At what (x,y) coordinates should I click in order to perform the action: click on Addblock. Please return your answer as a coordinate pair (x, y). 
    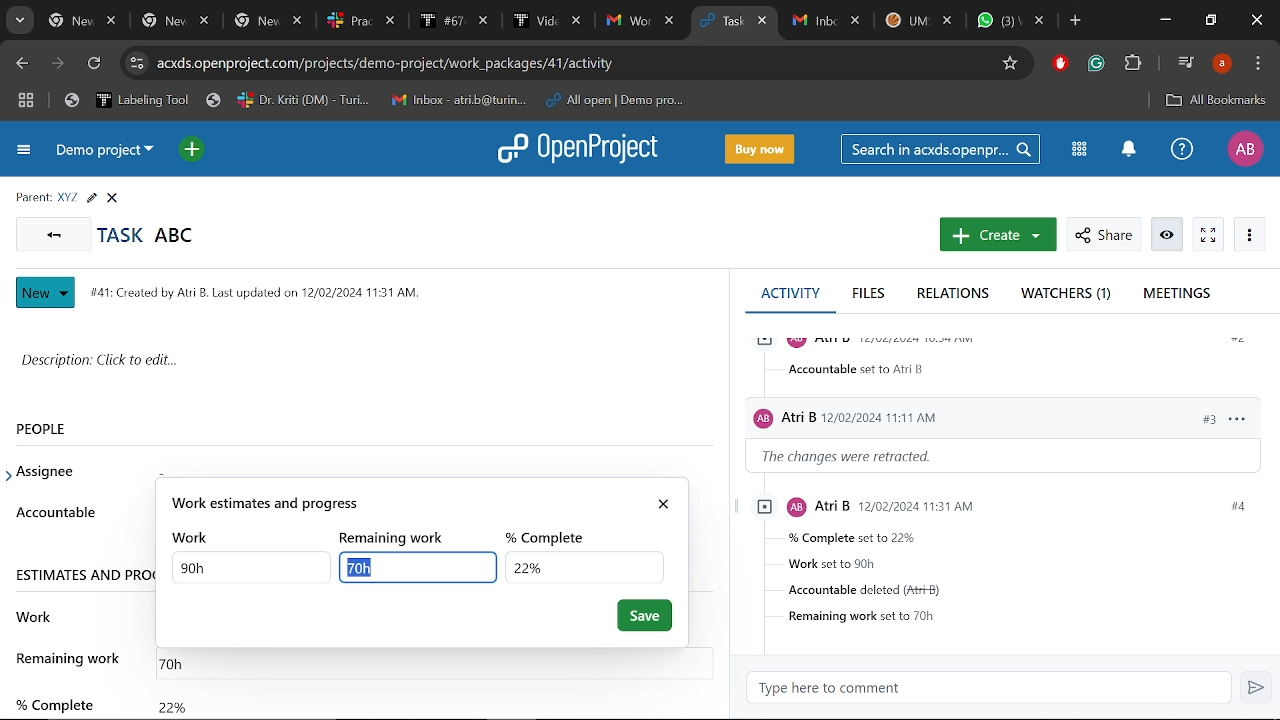
    Looking at the image, I should click on (1061, 64).